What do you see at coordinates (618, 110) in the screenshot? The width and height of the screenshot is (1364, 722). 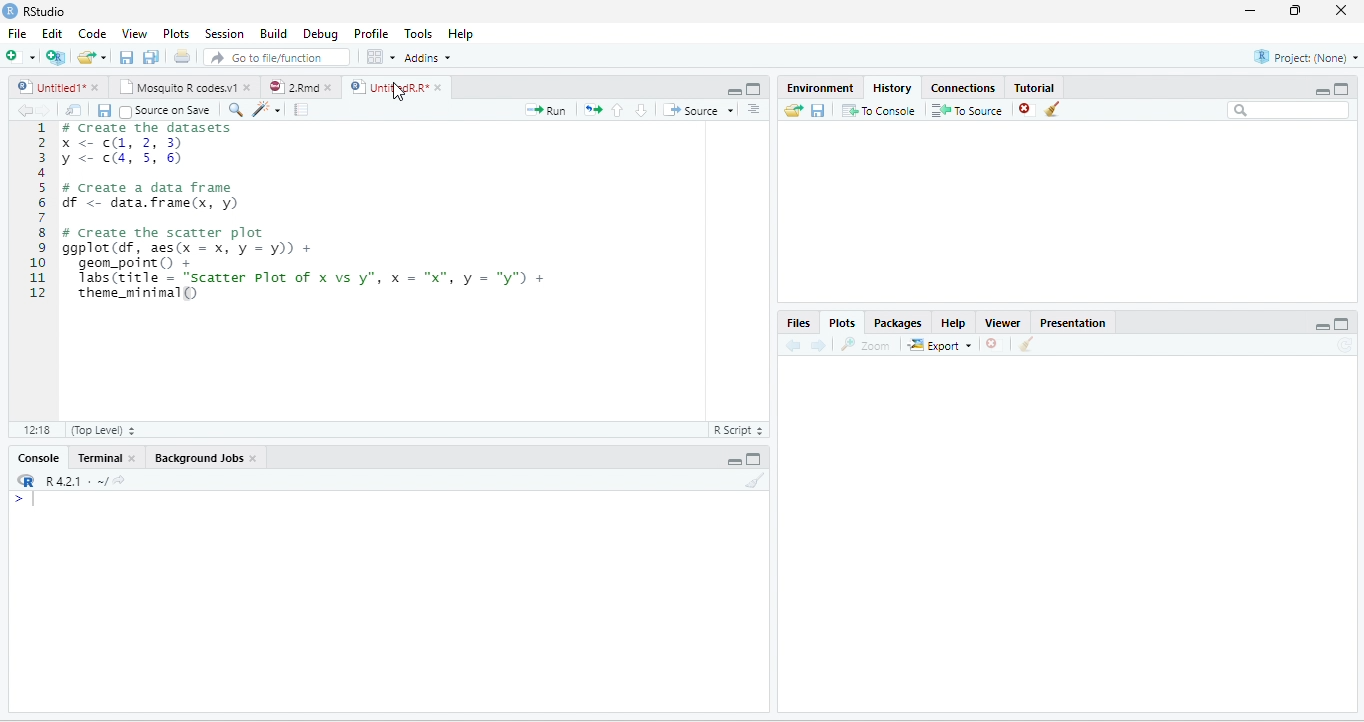 I see `Go to previous section/chunk` at bounding box center [618, 110].